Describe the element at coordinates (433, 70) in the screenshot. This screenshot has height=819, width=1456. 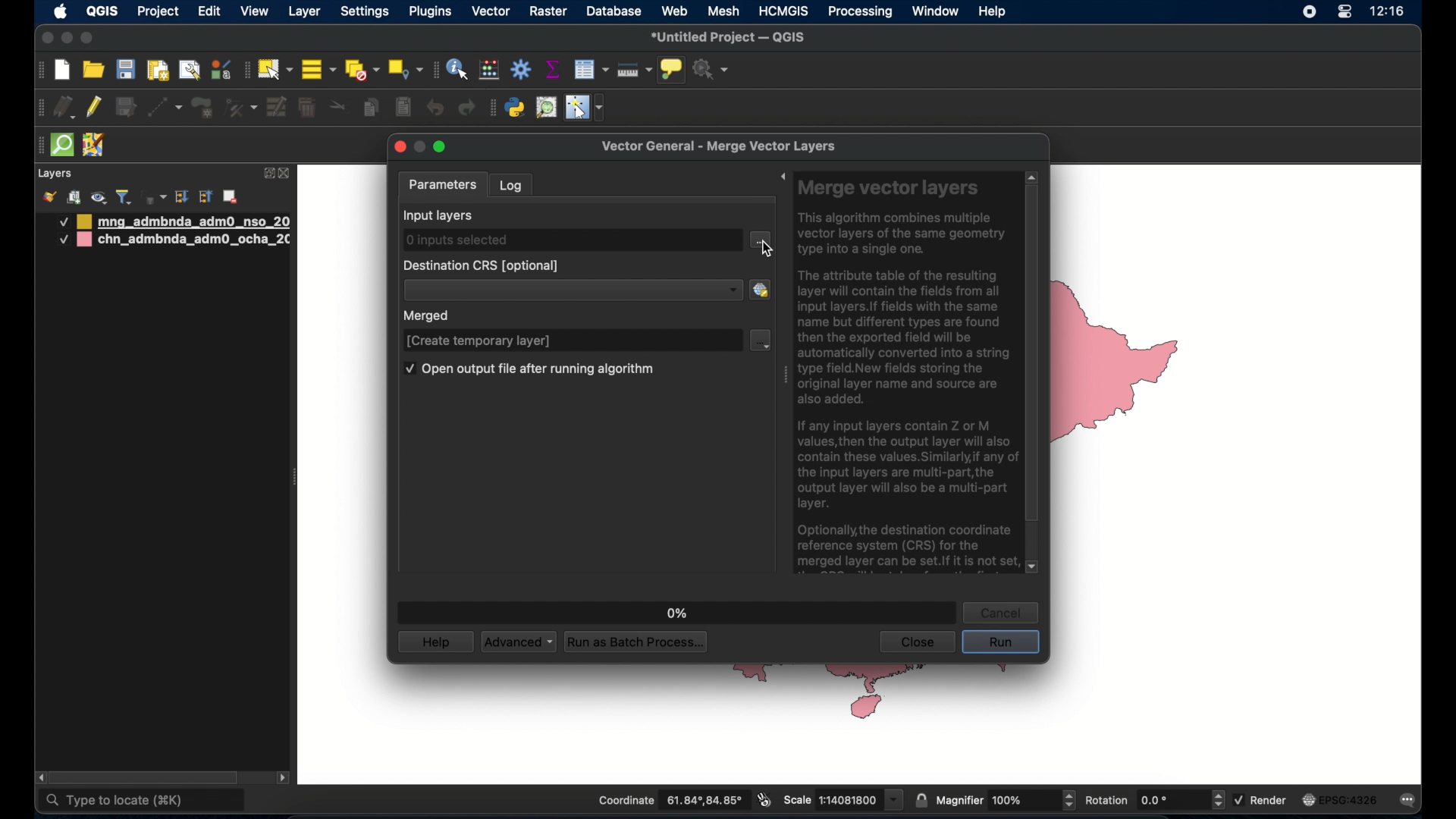
I see `attributes toolbar` at that location.